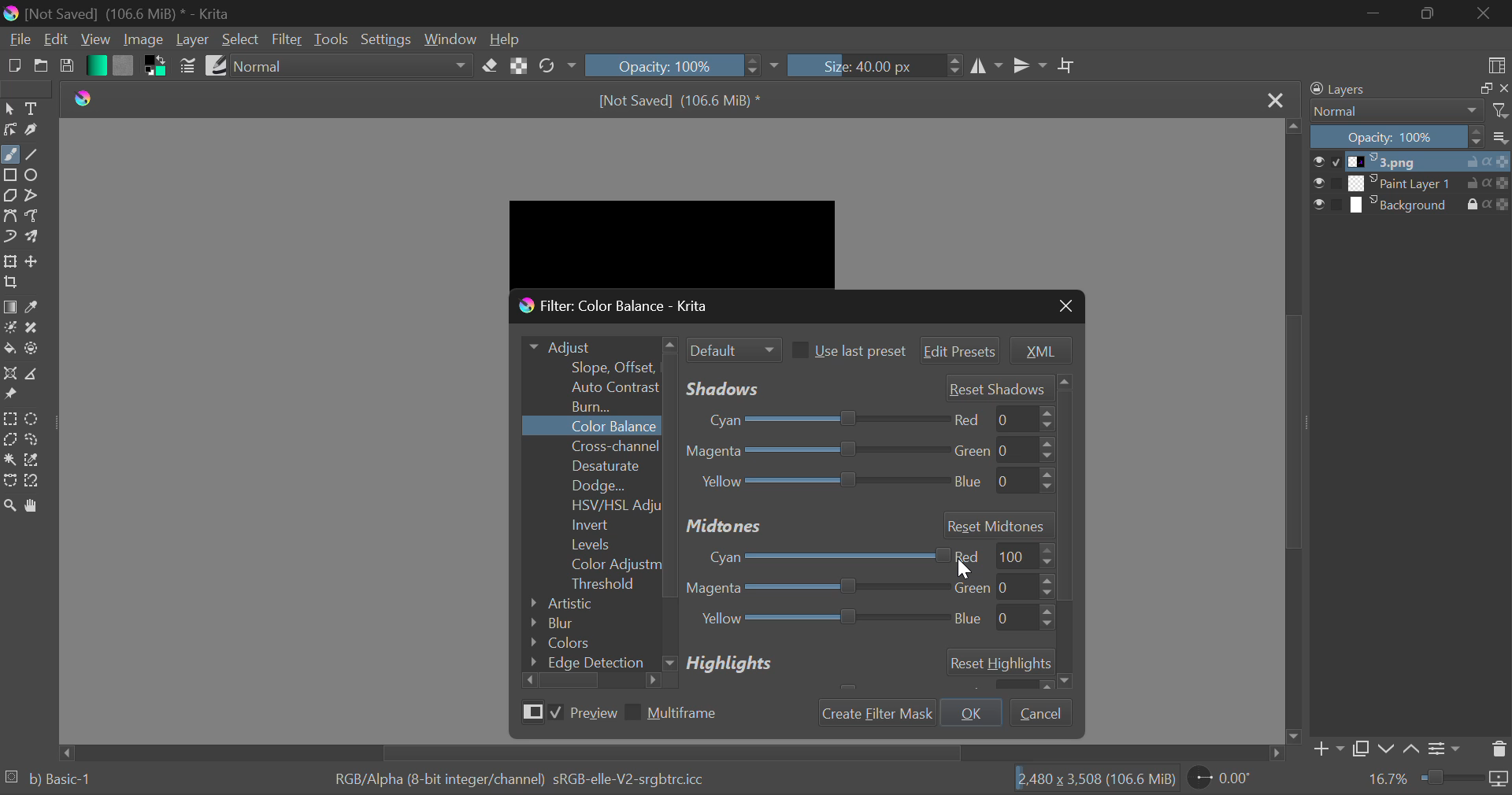  Describe the element at coordinates (10, 307) in the screenshot. I see `Gradient Fill` at that location.